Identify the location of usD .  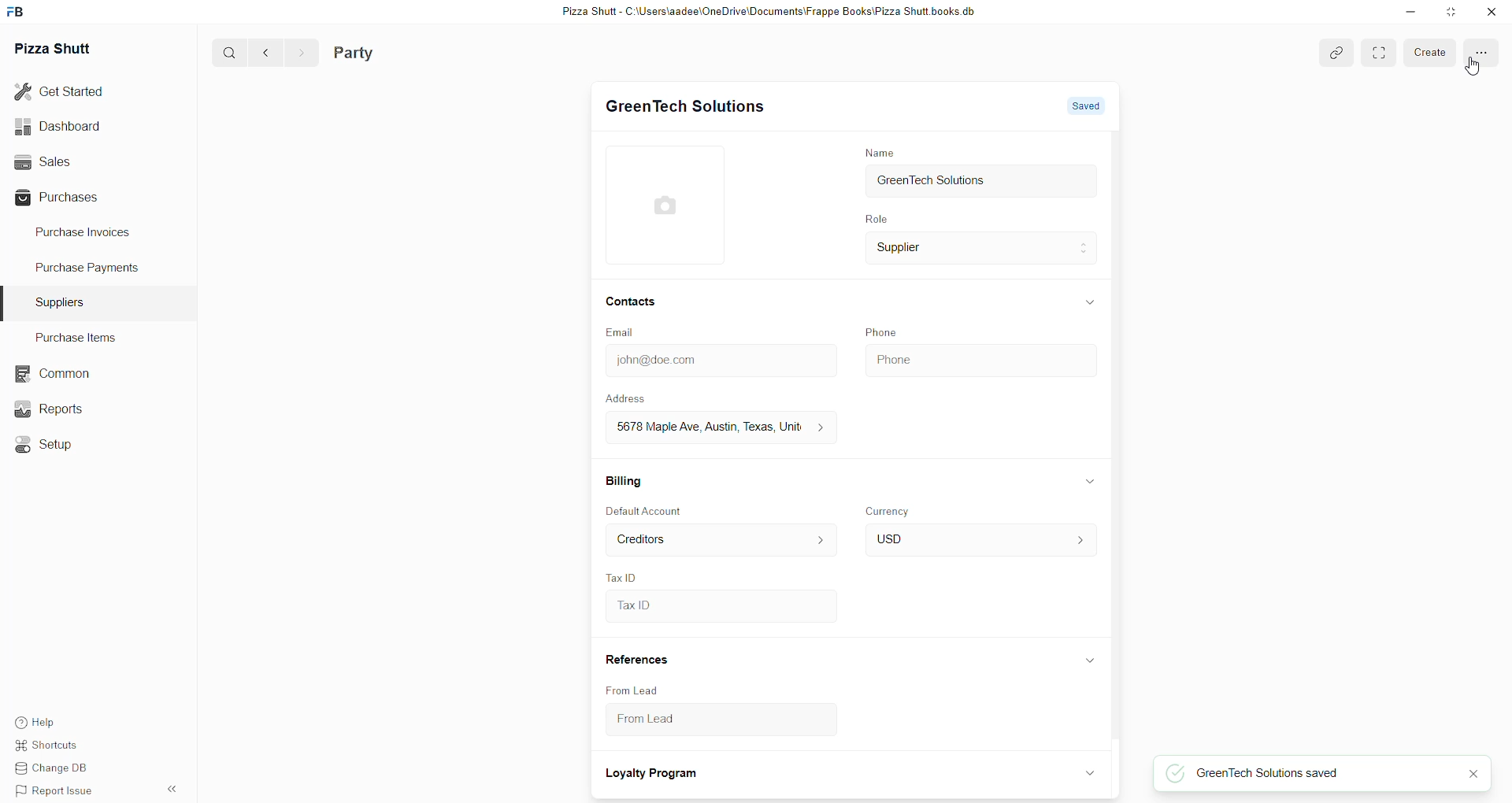
(978, 541).